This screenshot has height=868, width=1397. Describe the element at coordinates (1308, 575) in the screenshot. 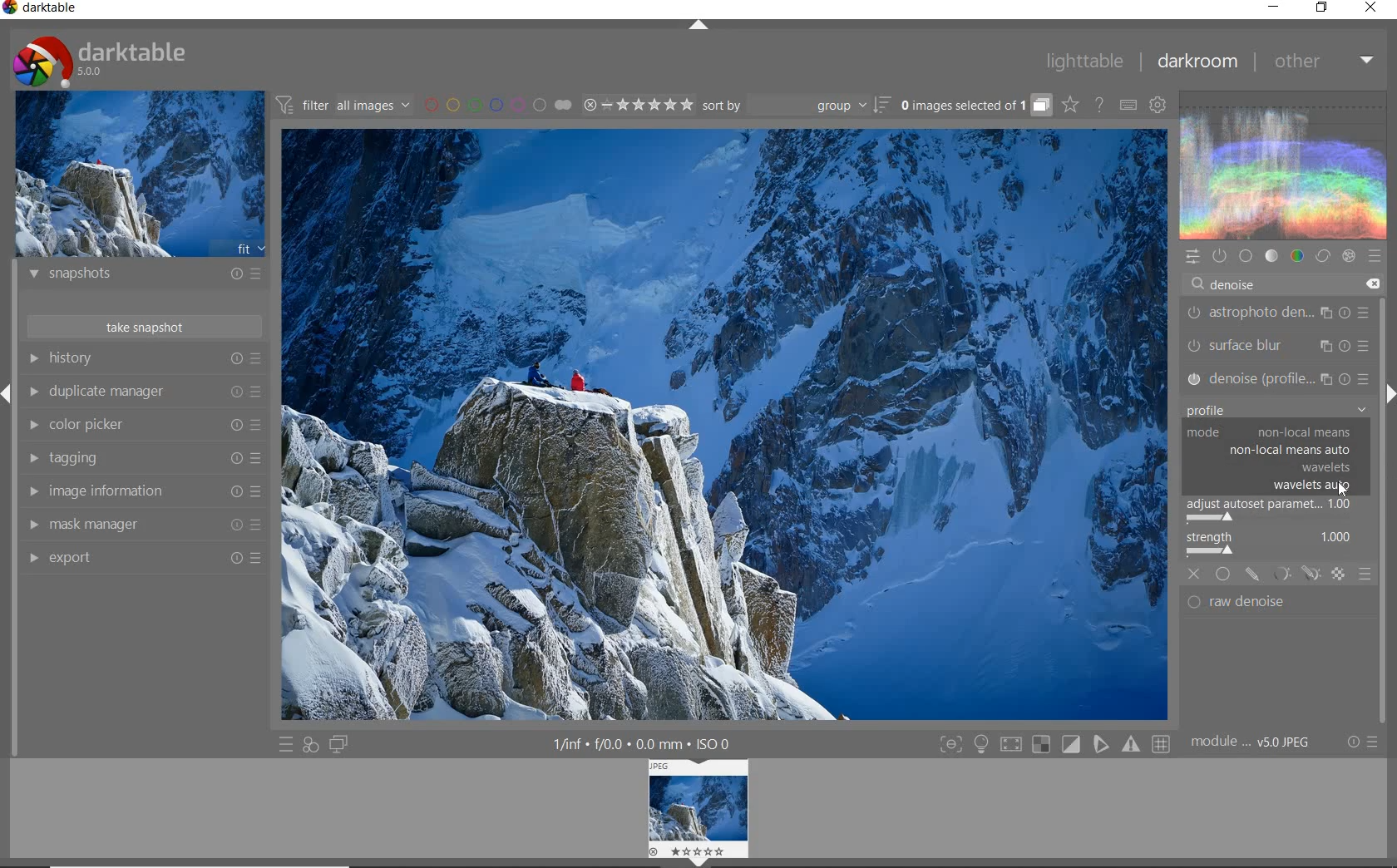

I see `MASKING OPTIONS` at that location.